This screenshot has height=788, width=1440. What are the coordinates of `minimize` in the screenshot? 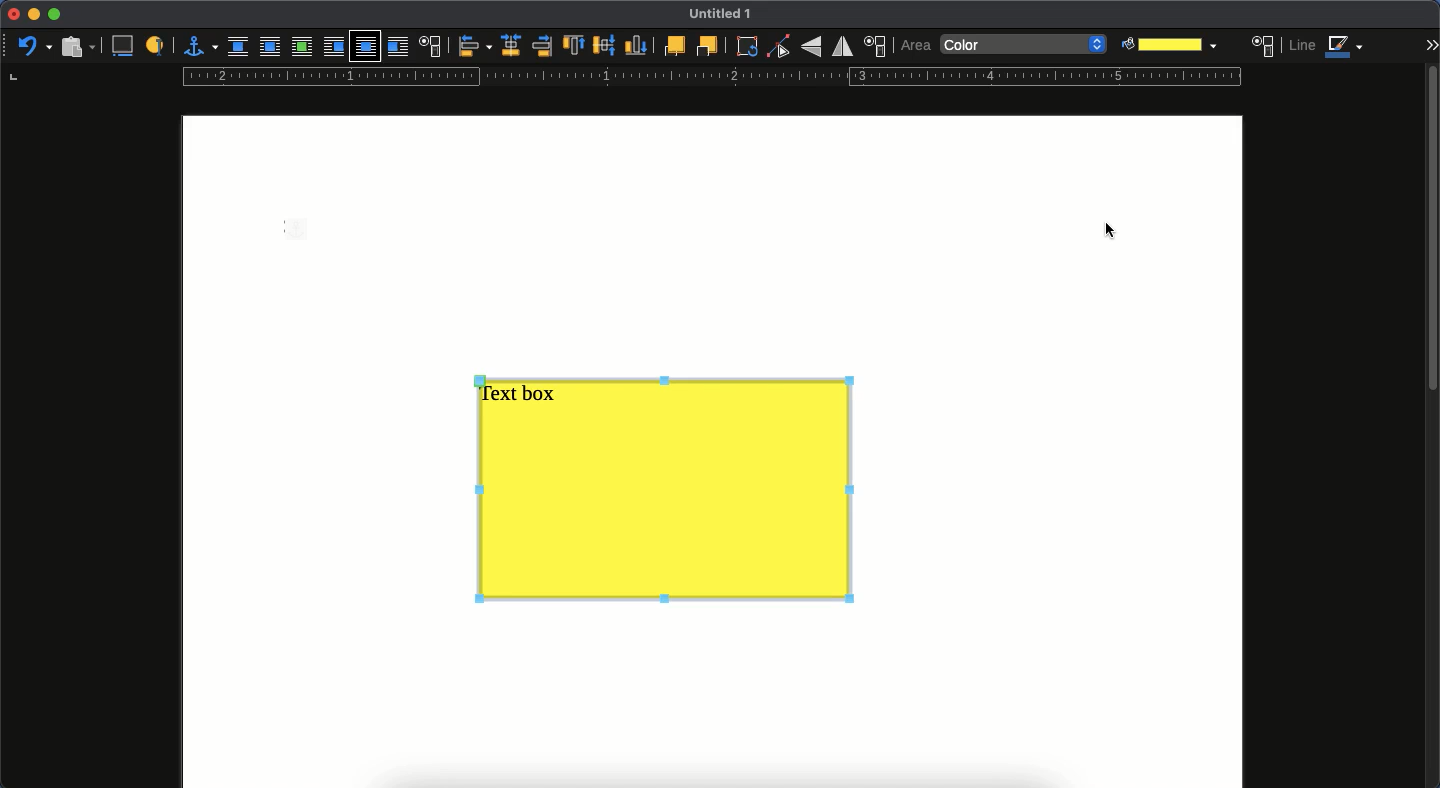 It's located at (33, 15).